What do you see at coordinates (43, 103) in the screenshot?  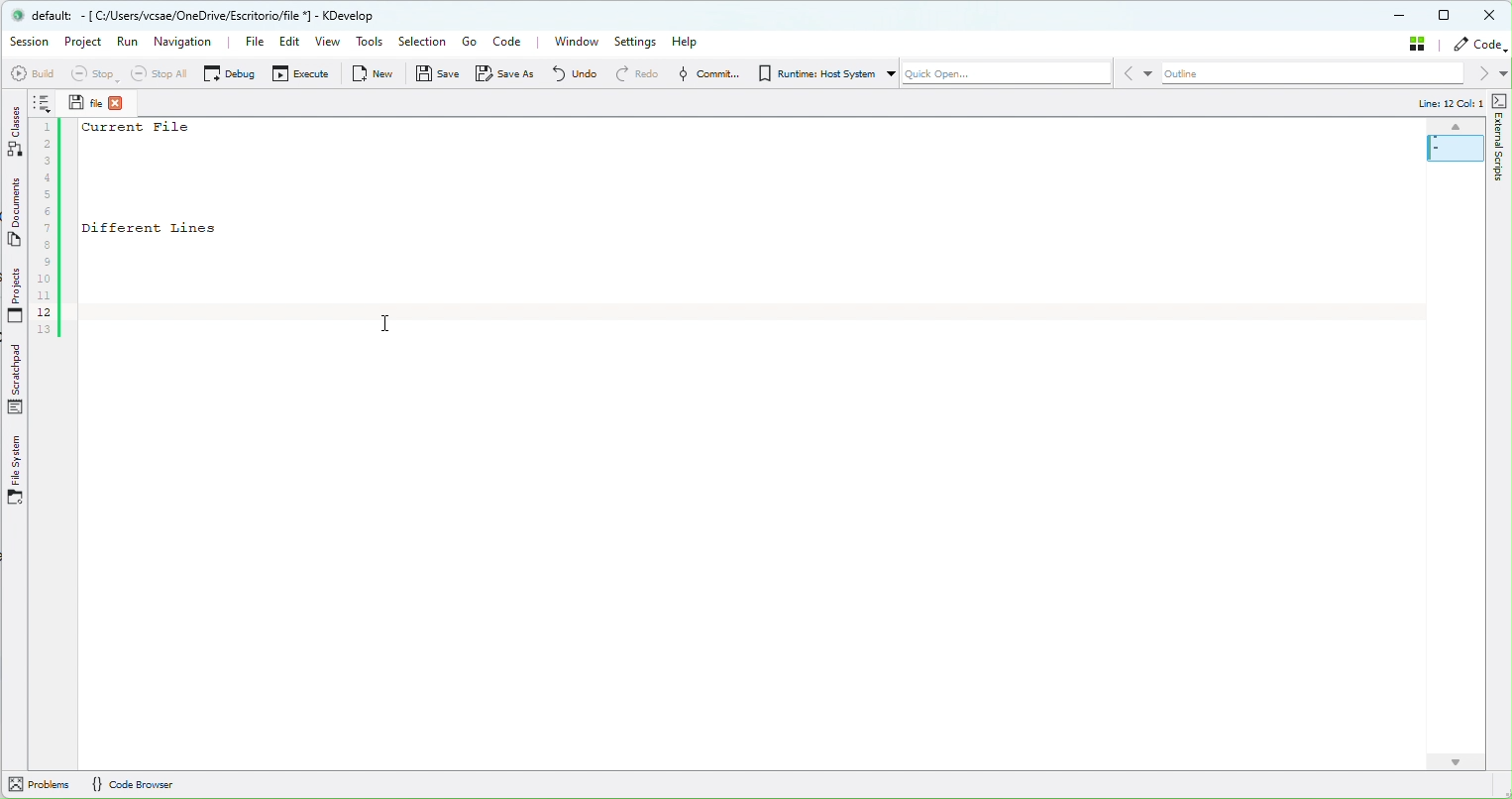 I see `Notes` at bounding box center [43, 103].